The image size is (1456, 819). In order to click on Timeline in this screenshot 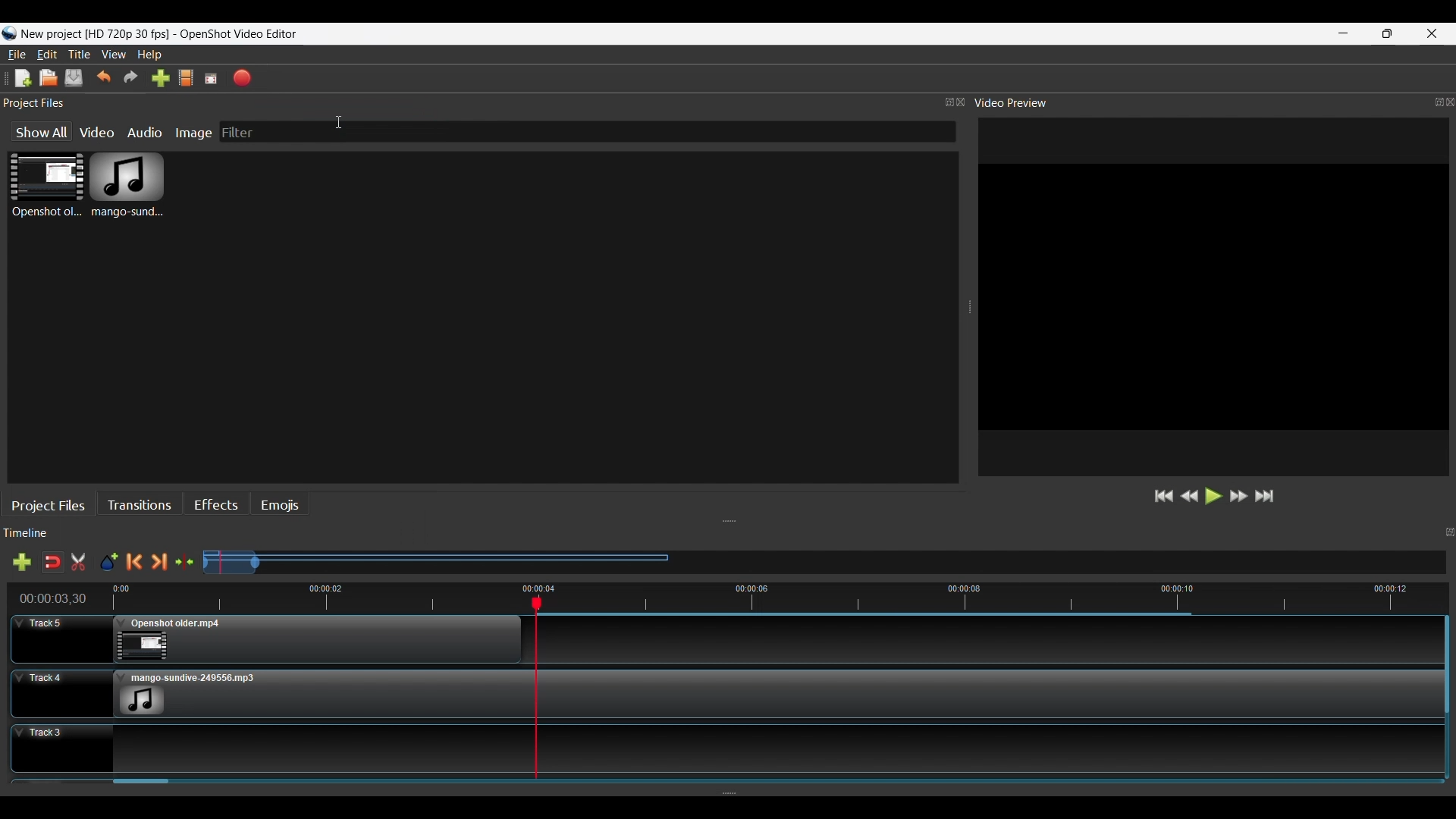, I will do `click(30, 531)`.